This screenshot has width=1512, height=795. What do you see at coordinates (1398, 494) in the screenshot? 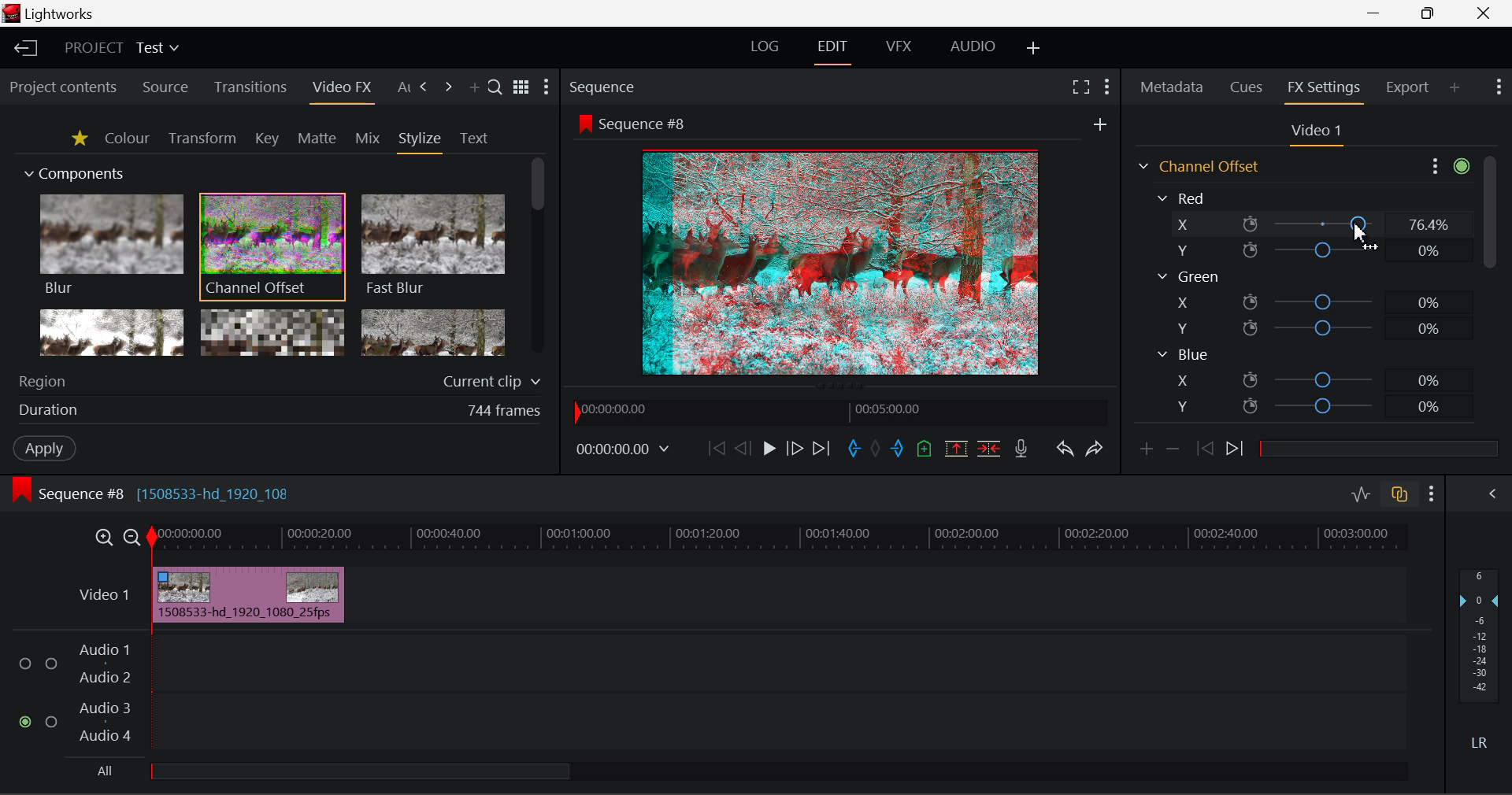
I see `Toggle auto track sync` at bounding box center [1398, 494].